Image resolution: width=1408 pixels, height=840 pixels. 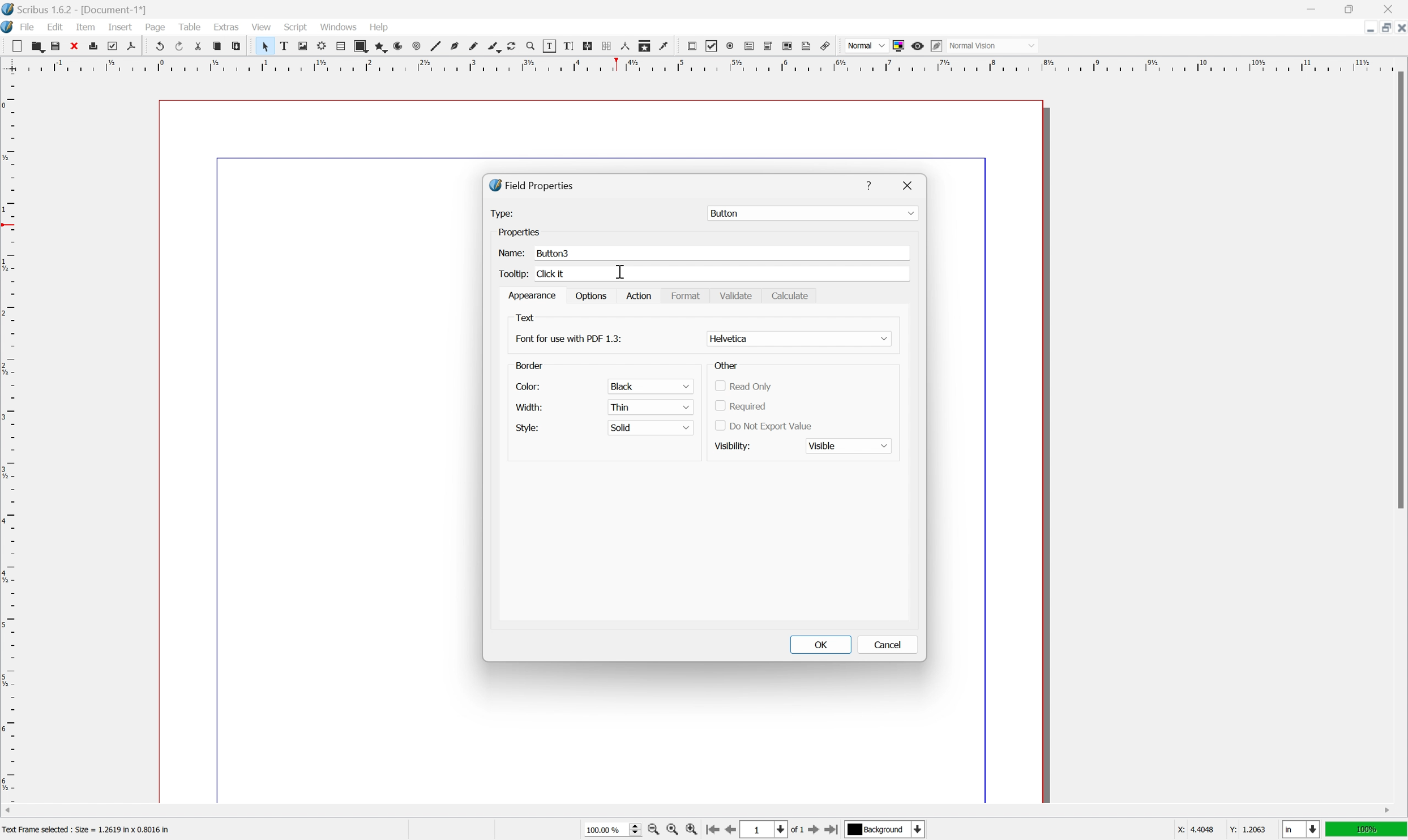 What do you see at coordinates (512, 251) in the screenshot?
I see `Name:` at bounding box center [512, 251].